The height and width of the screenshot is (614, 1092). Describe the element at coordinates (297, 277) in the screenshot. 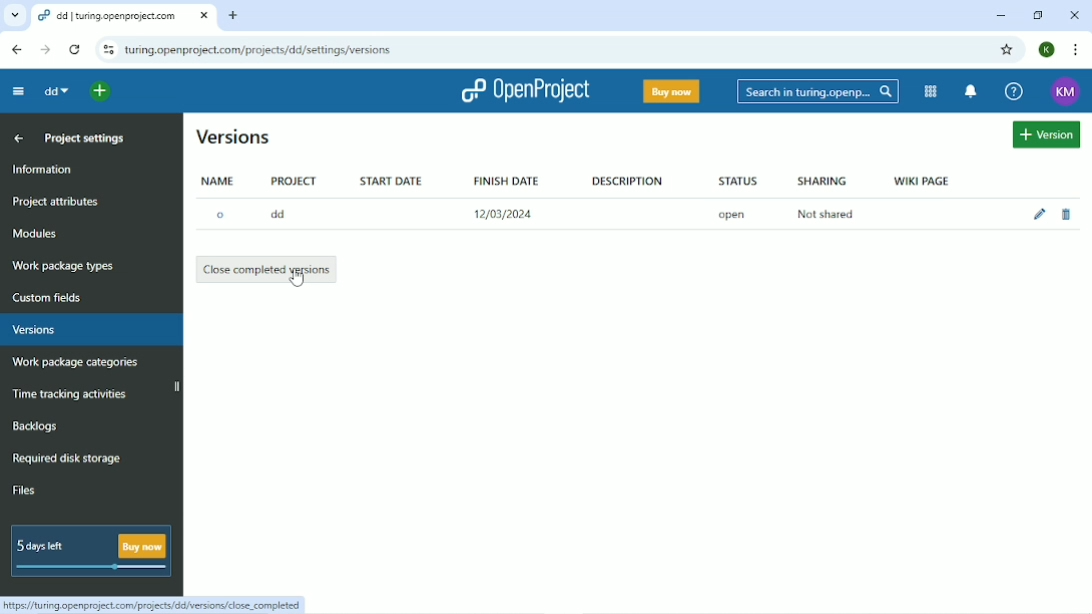

I see `cursor` at that location.